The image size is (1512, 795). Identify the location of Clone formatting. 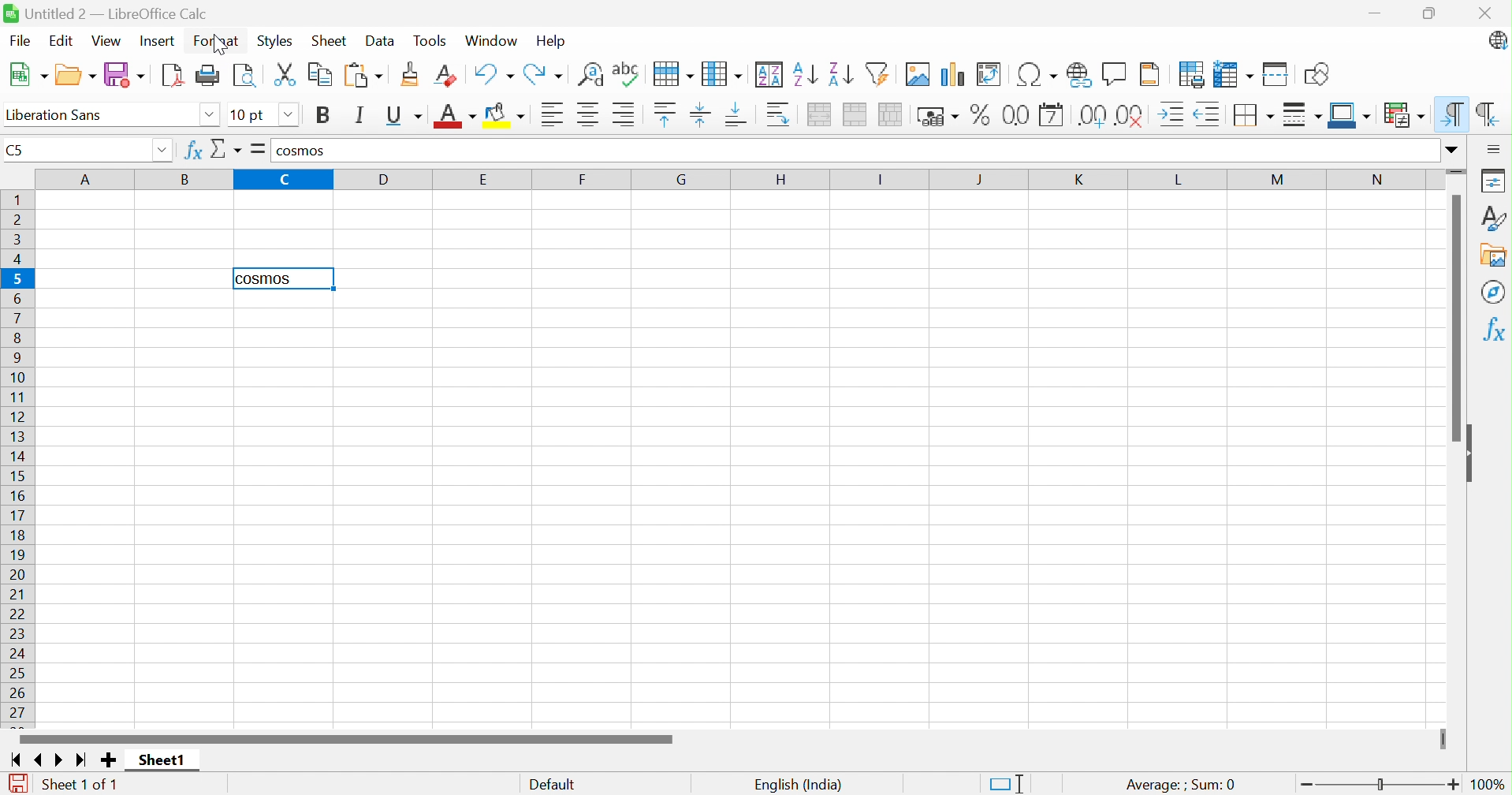
(408, 74).